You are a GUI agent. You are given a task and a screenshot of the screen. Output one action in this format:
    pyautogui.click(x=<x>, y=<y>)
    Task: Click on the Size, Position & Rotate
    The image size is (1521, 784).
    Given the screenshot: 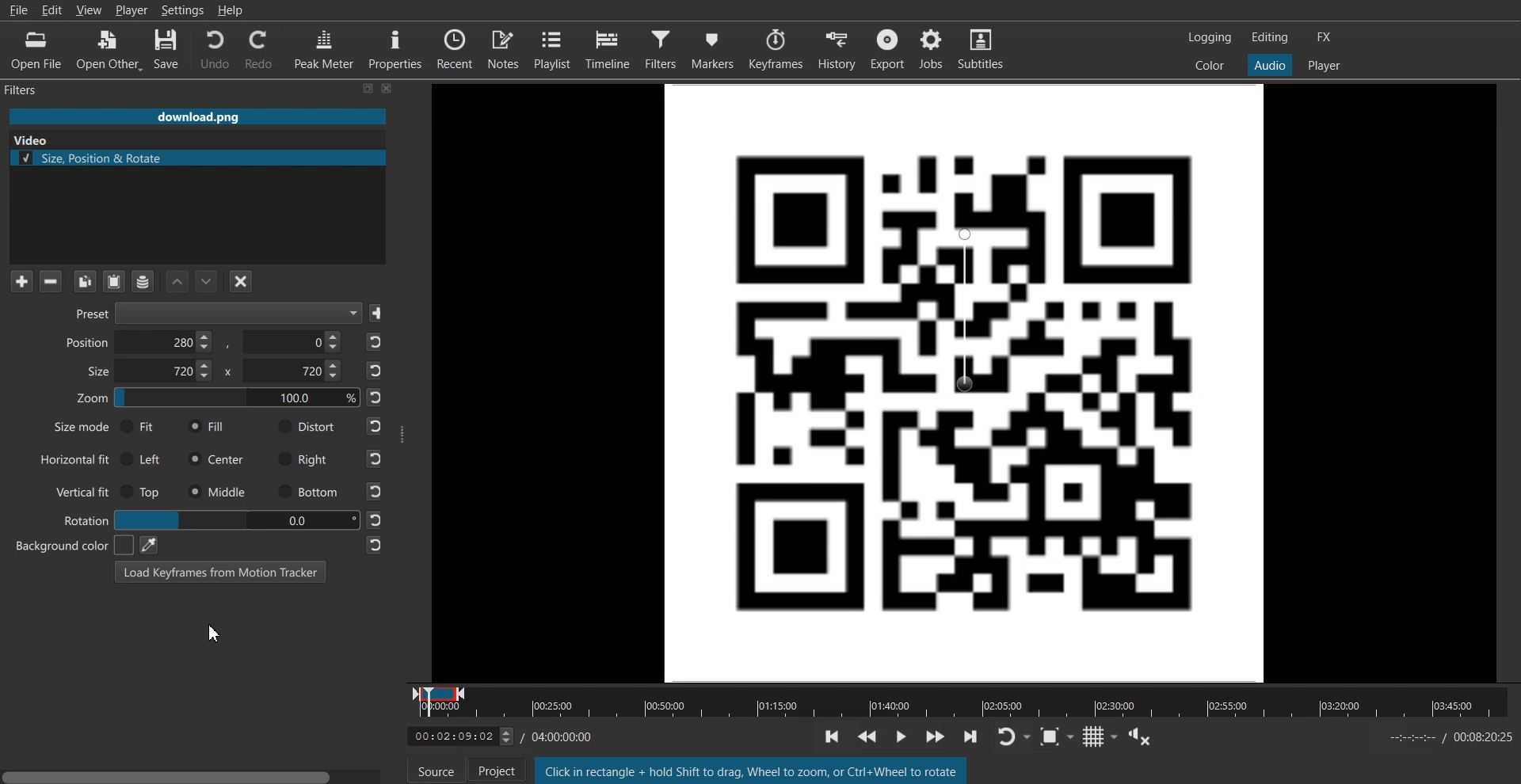 What is the action you would take?
    pyautogui.click(x=197, y=158)
    